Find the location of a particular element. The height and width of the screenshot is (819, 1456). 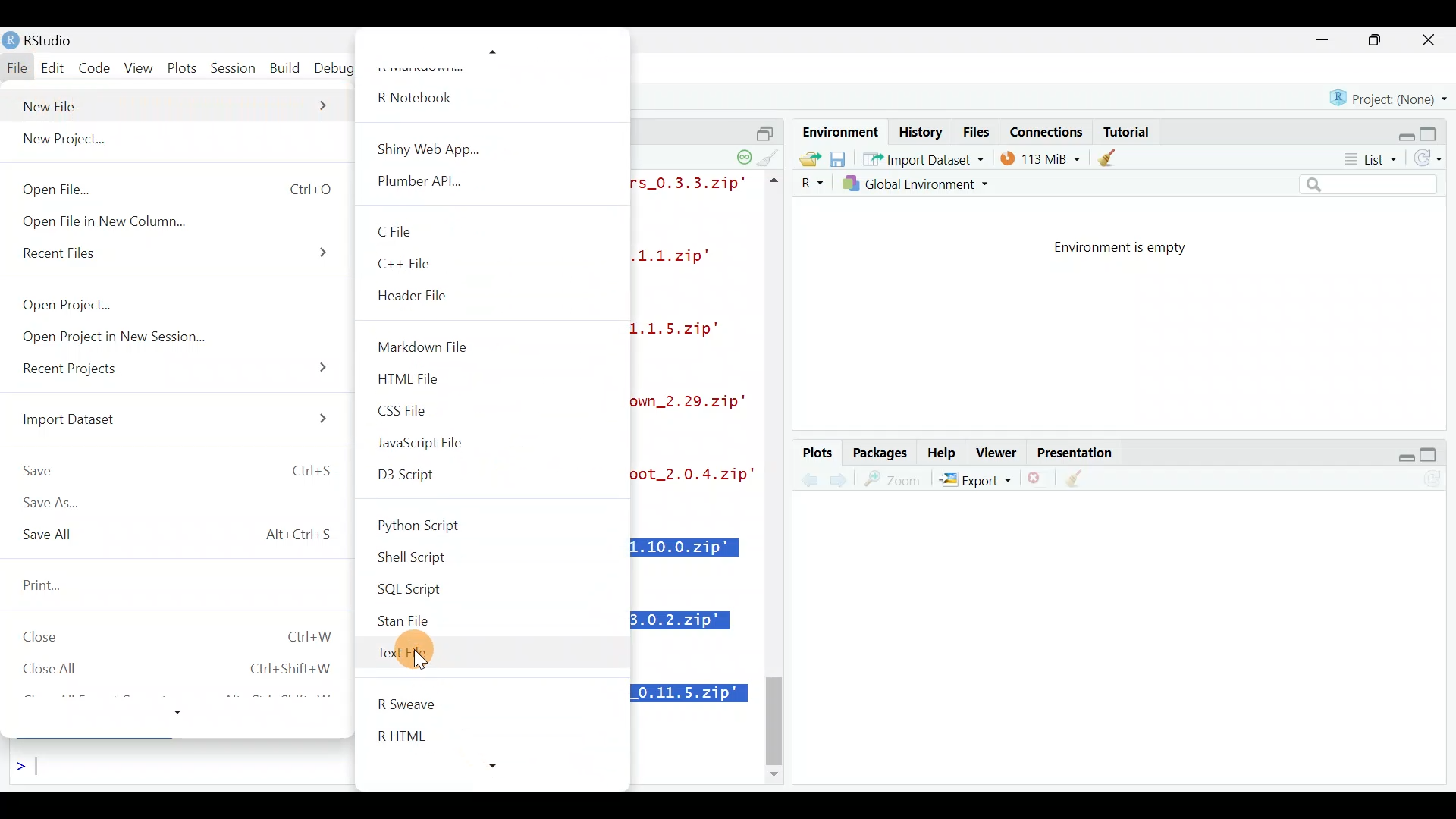

D3 Script is located at coordinates (418, 477).